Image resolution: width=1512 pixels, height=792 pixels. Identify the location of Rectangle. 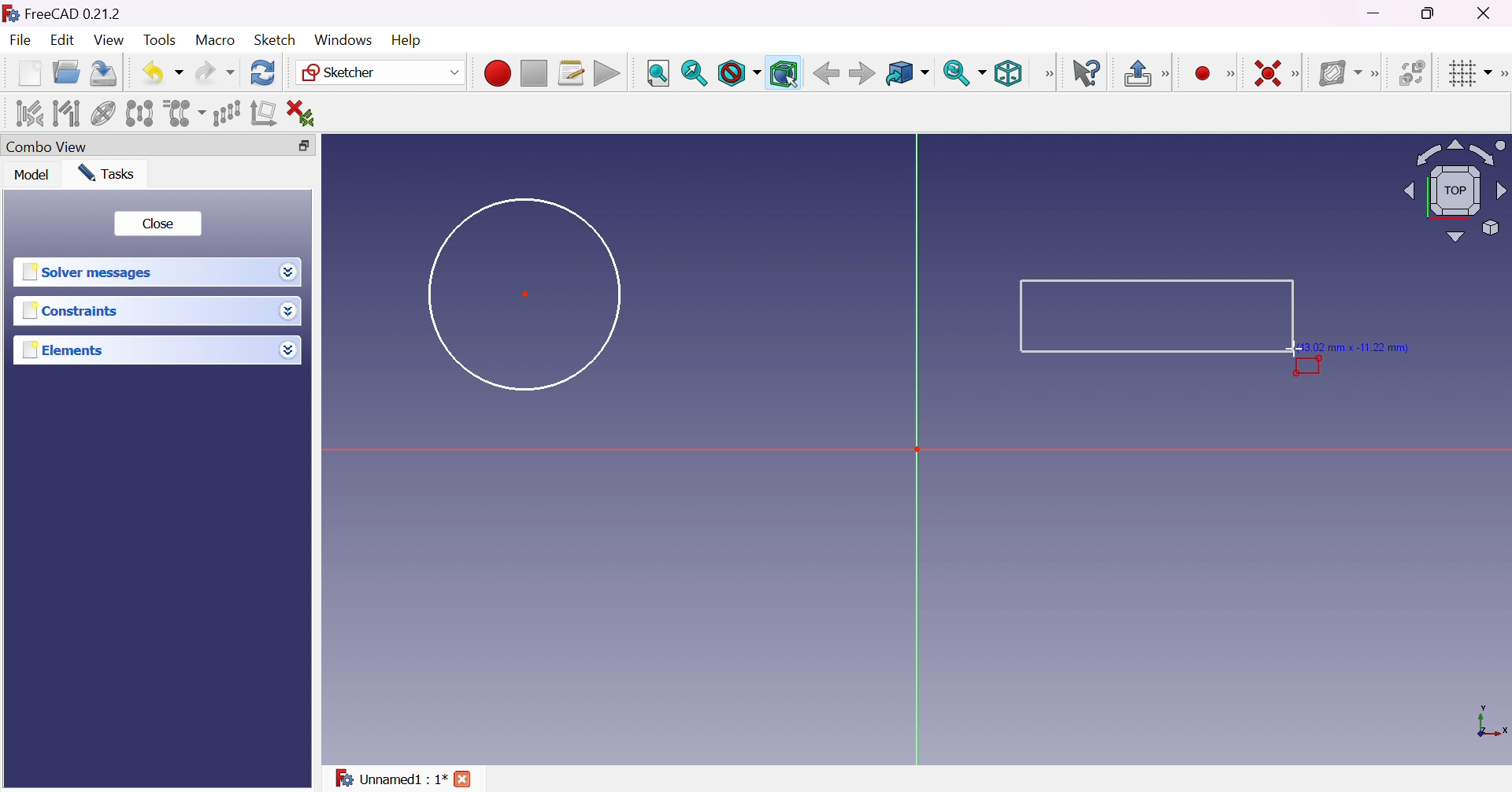
(1157, 316).